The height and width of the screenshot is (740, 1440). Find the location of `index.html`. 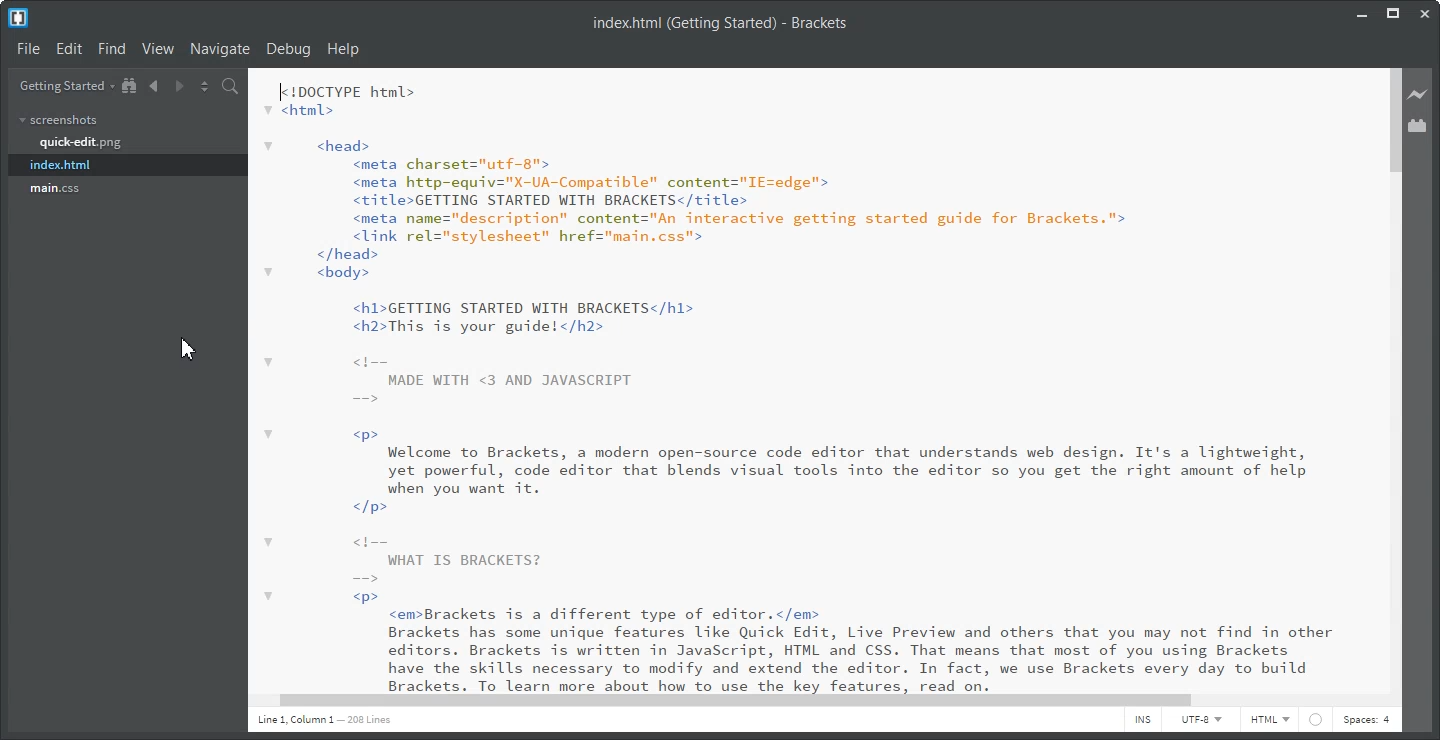

index.html is located at coordinates (60, 165).